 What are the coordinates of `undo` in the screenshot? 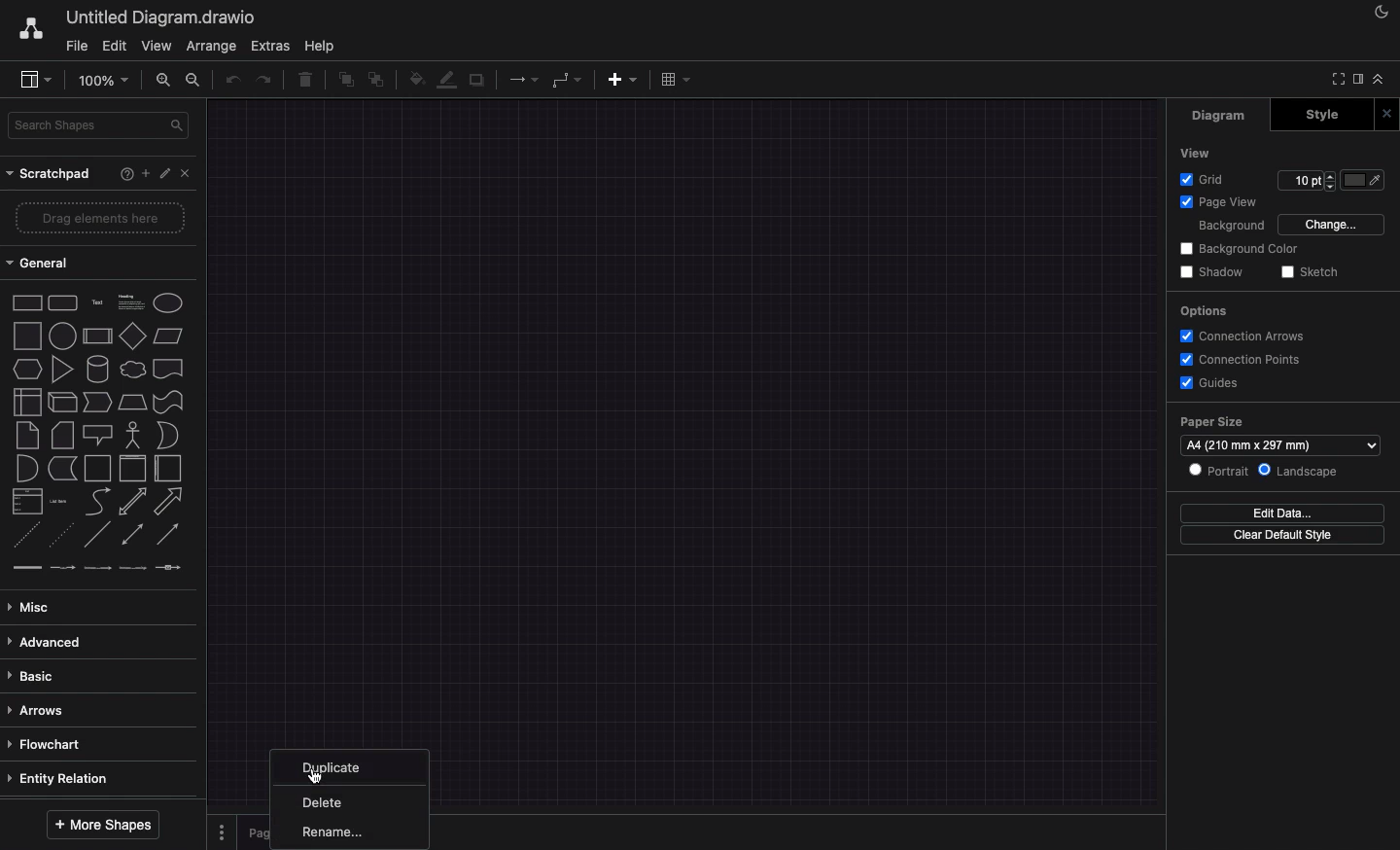 It's located at (231, 79).